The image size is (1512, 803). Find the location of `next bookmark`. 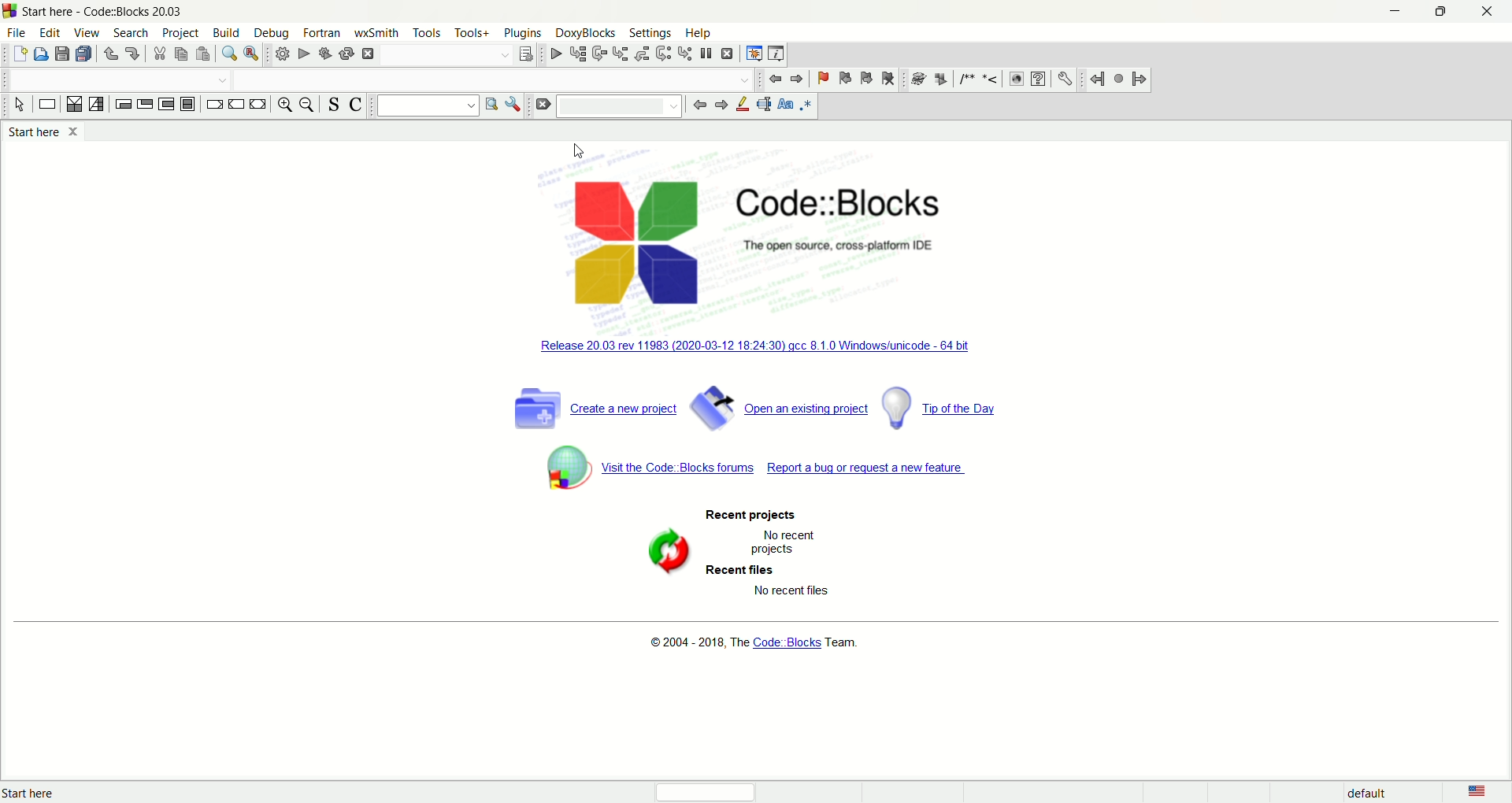

next bookmark is located at coordinates (865, 79).